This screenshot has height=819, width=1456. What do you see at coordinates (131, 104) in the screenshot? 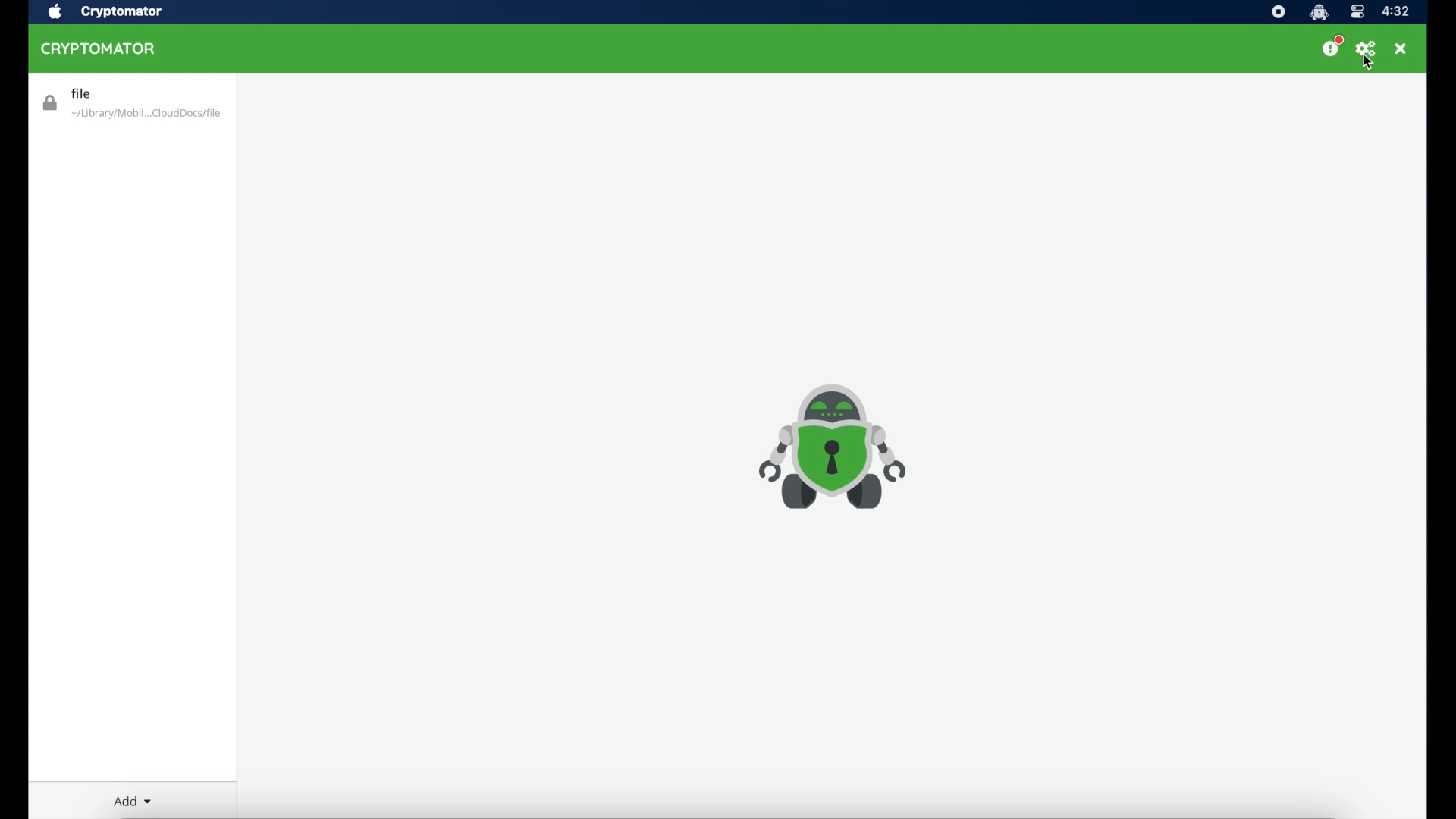
I see `file` at bounding box center [131, 104].